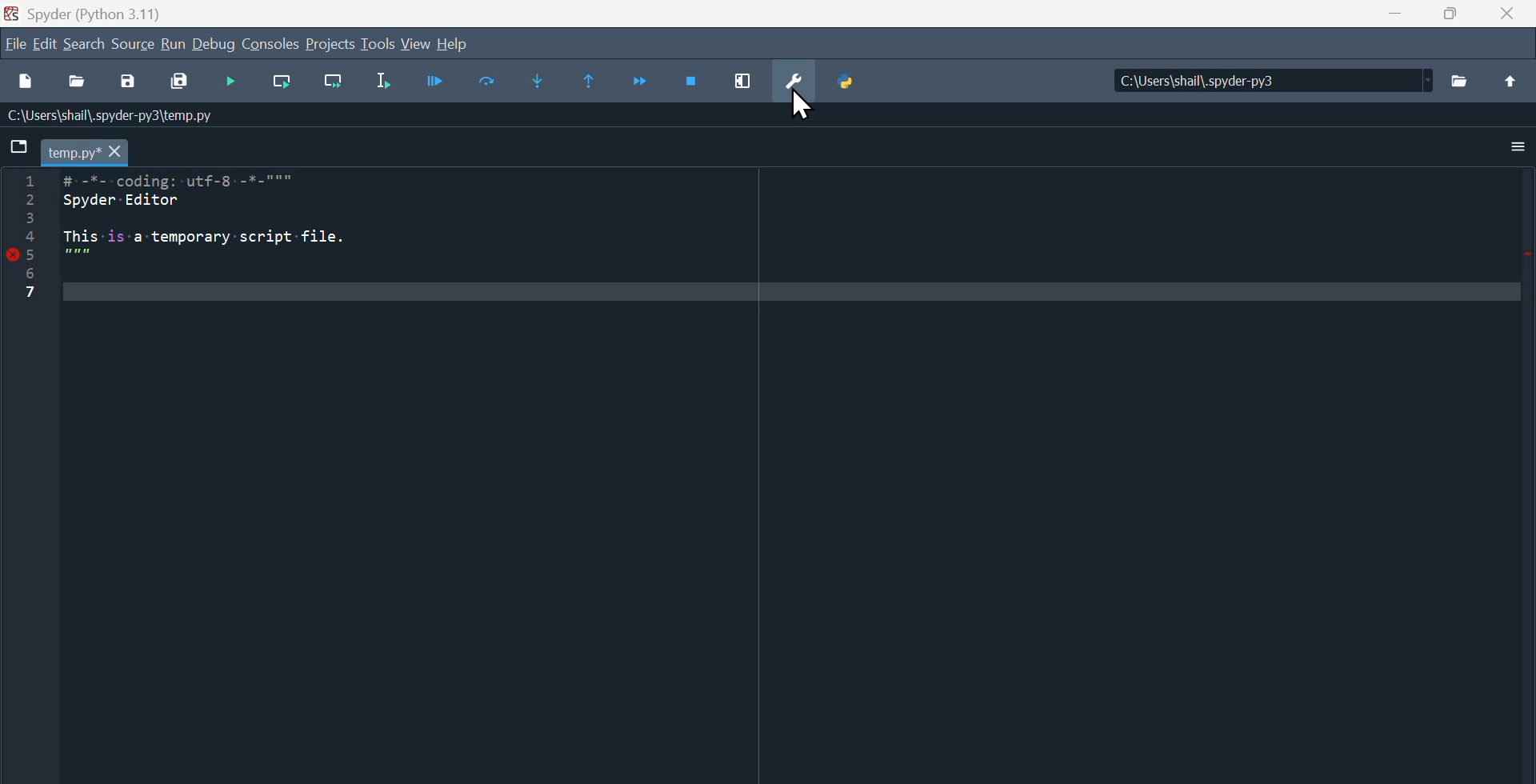  Describe the element at coordinates (549, 81) in the screenshot. I see `Step in to function` at that location.